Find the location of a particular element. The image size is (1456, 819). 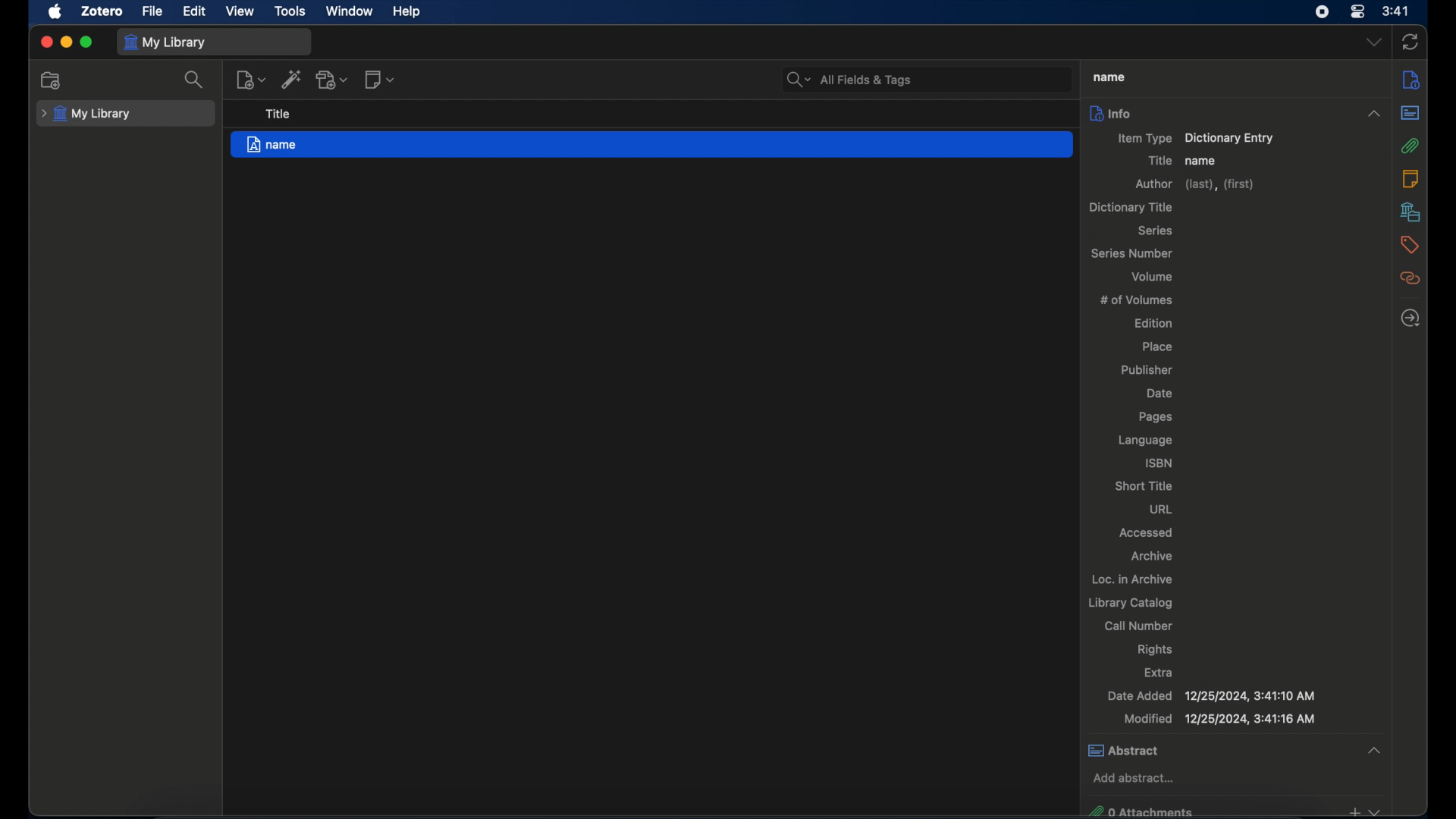

tools is located at coordinates (290, 11).